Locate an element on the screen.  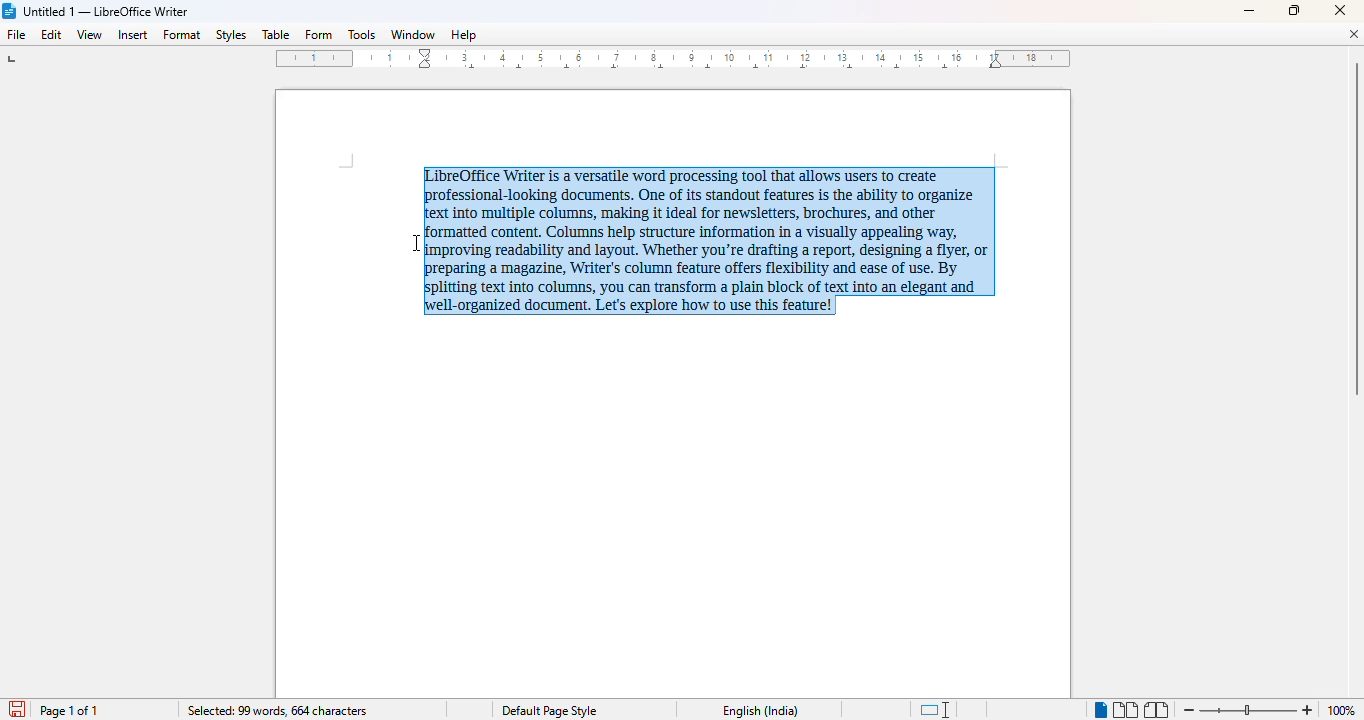
close document is located at coordinates (1353, 34).